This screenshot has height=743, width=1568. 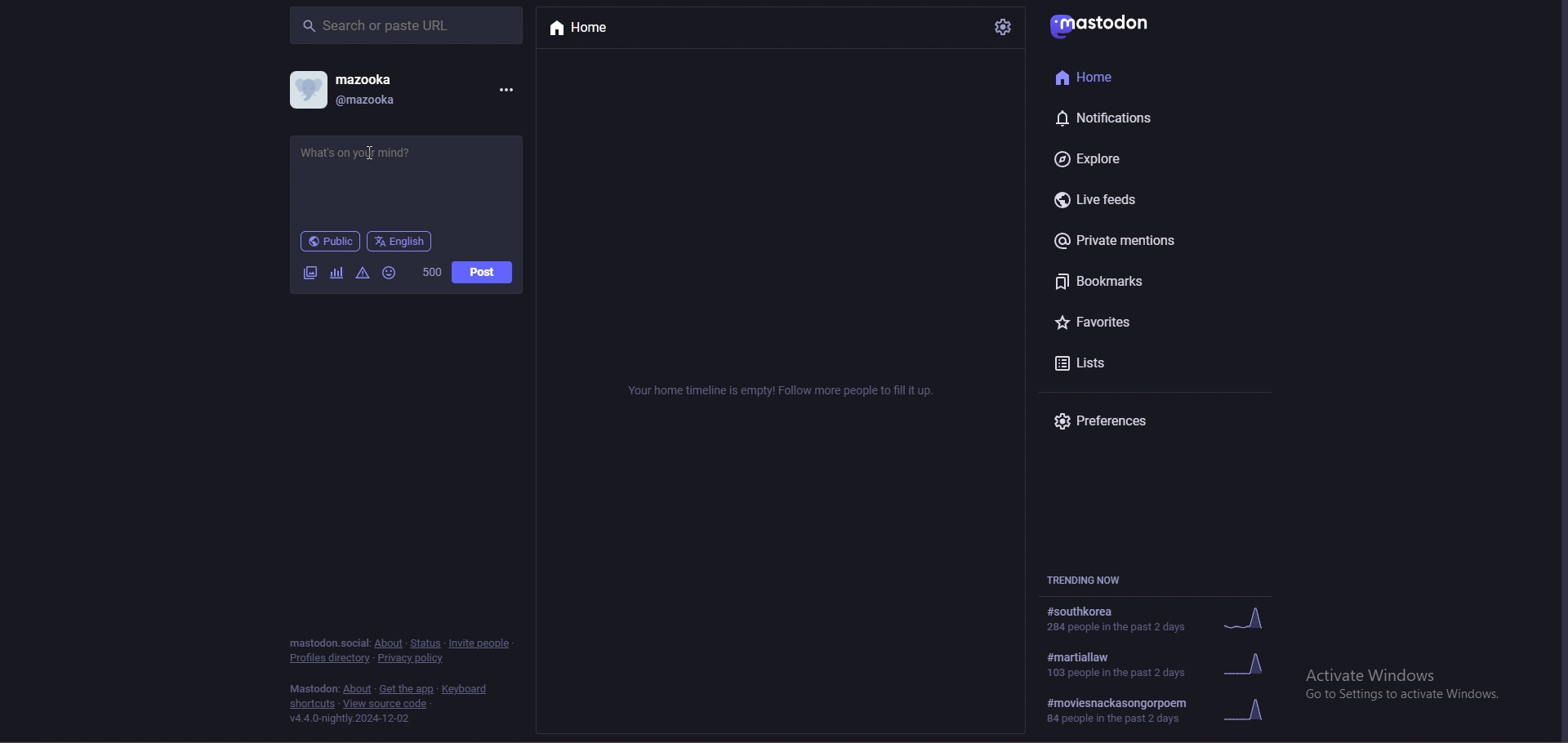 I want to click on version, so click(x=354, y=718).